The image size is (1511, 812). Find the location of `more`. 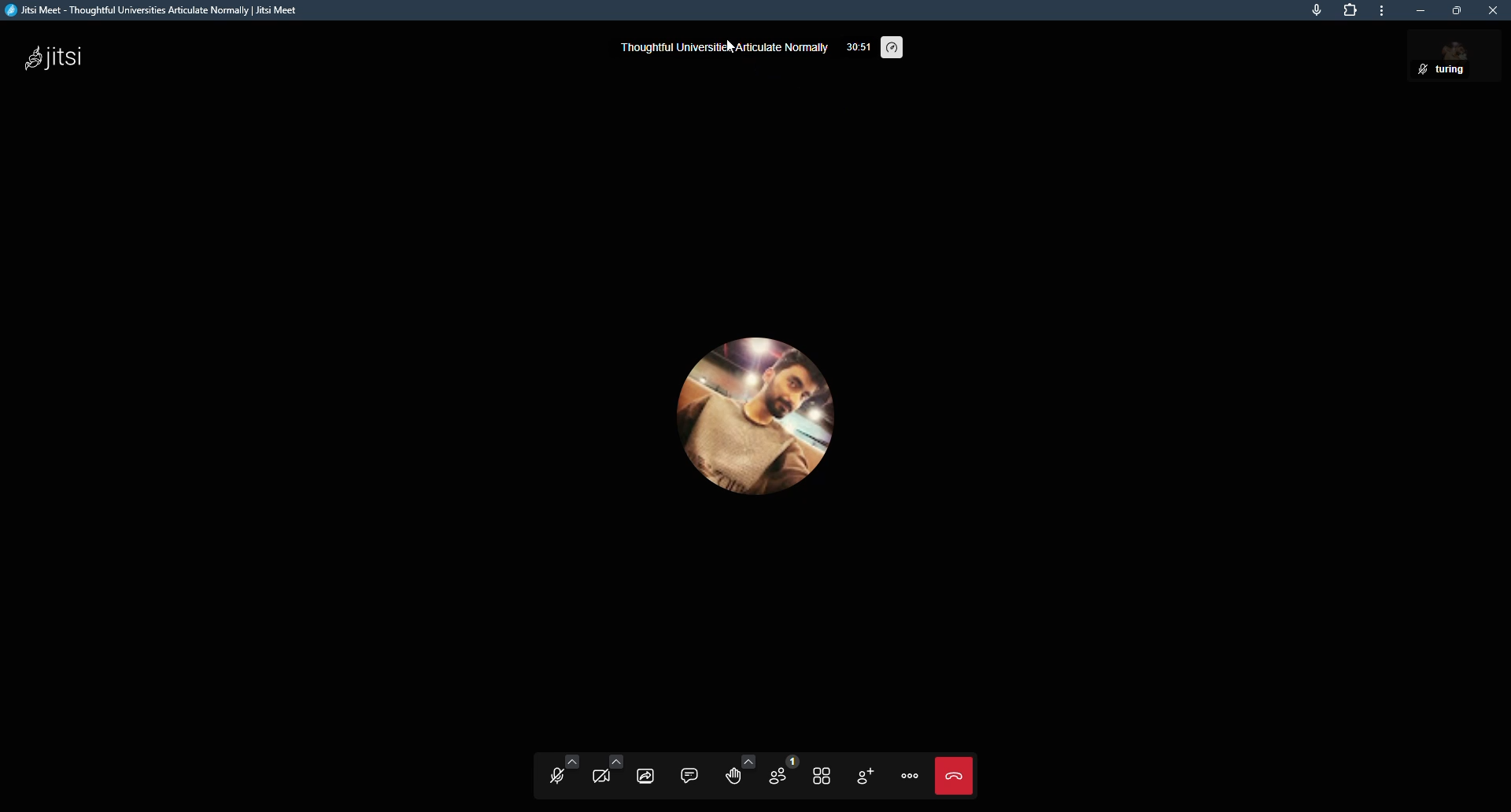

more is located at coordinates (1382, 12).